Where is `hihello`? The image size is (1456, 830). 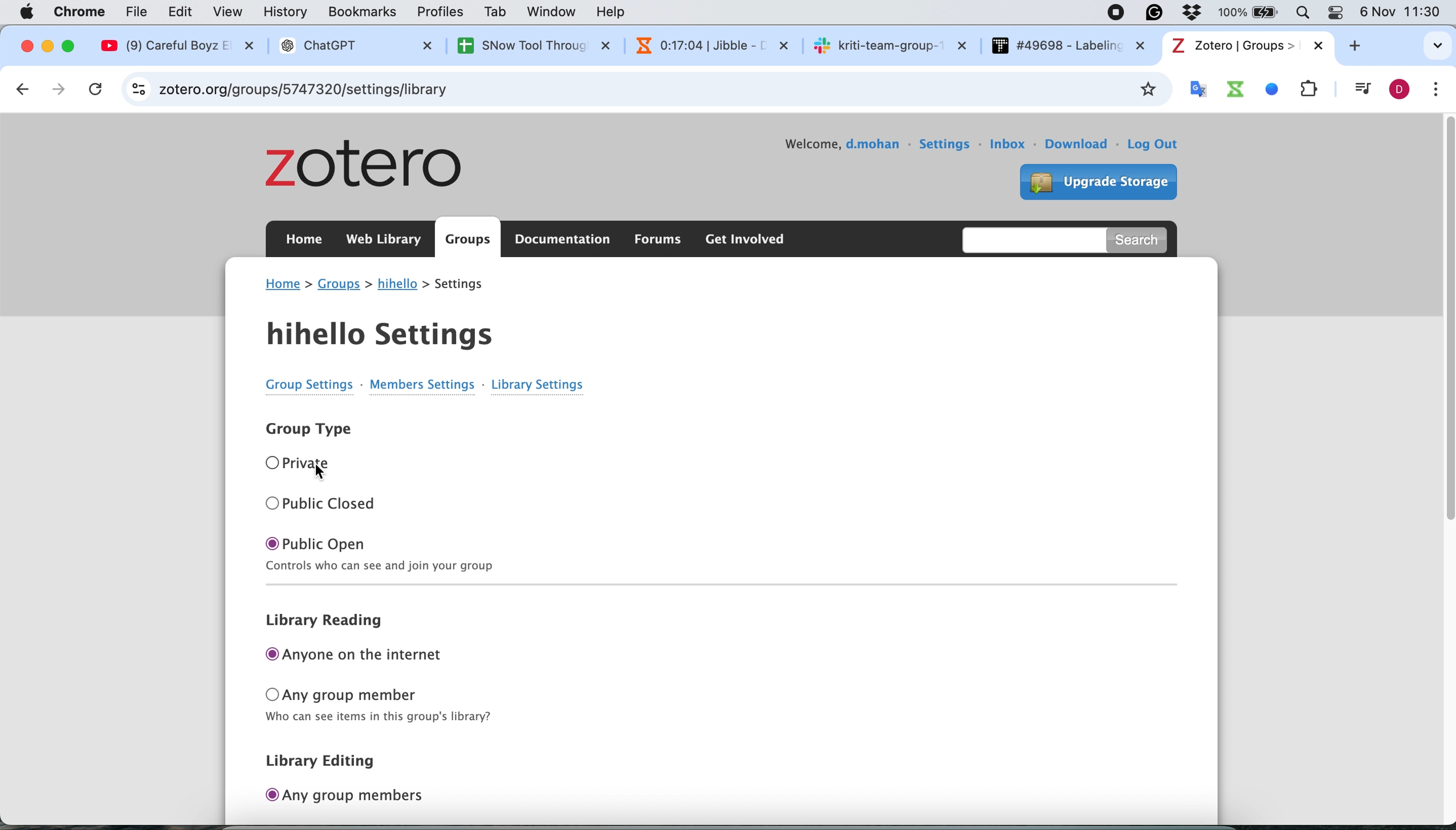 hihello is located at coordinates (387, 330).